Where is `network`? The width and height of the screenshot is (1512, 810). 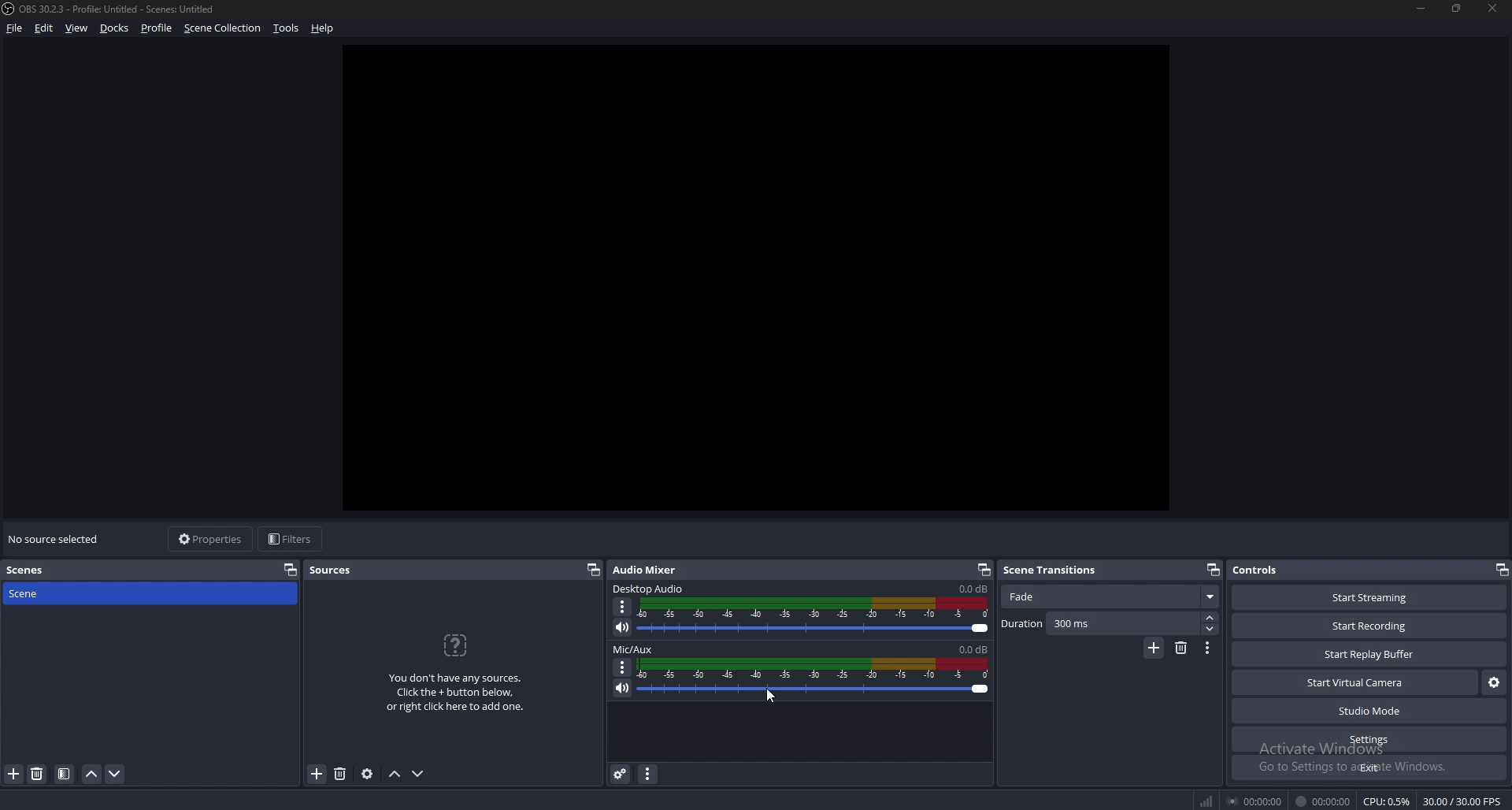
network is located at coordinates (1210, 801).